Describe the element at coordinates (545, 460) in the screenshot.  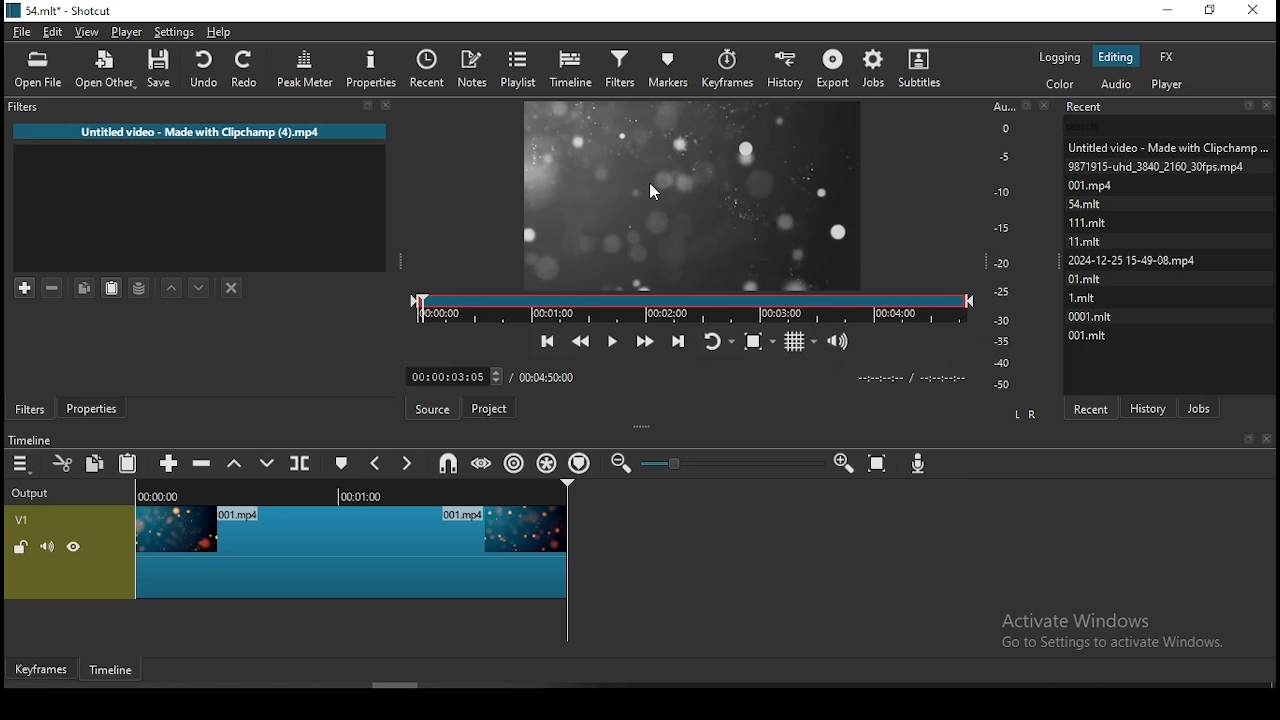
I see `ripple all tracks` at that location.